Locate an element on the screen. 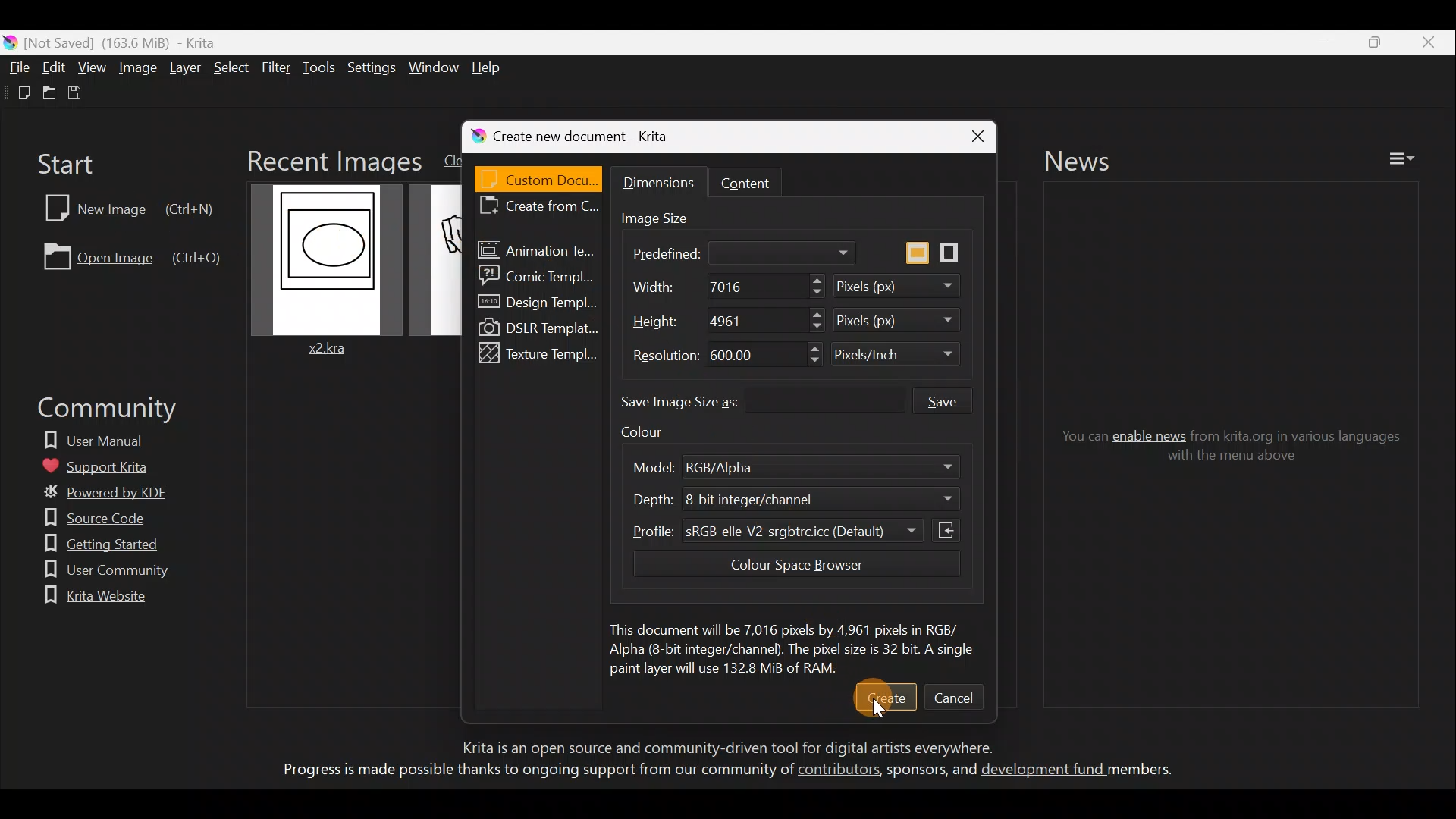 The width and height of the screenshot is (1456, 819). Decrease resolution is located at coordinates (800, 360).